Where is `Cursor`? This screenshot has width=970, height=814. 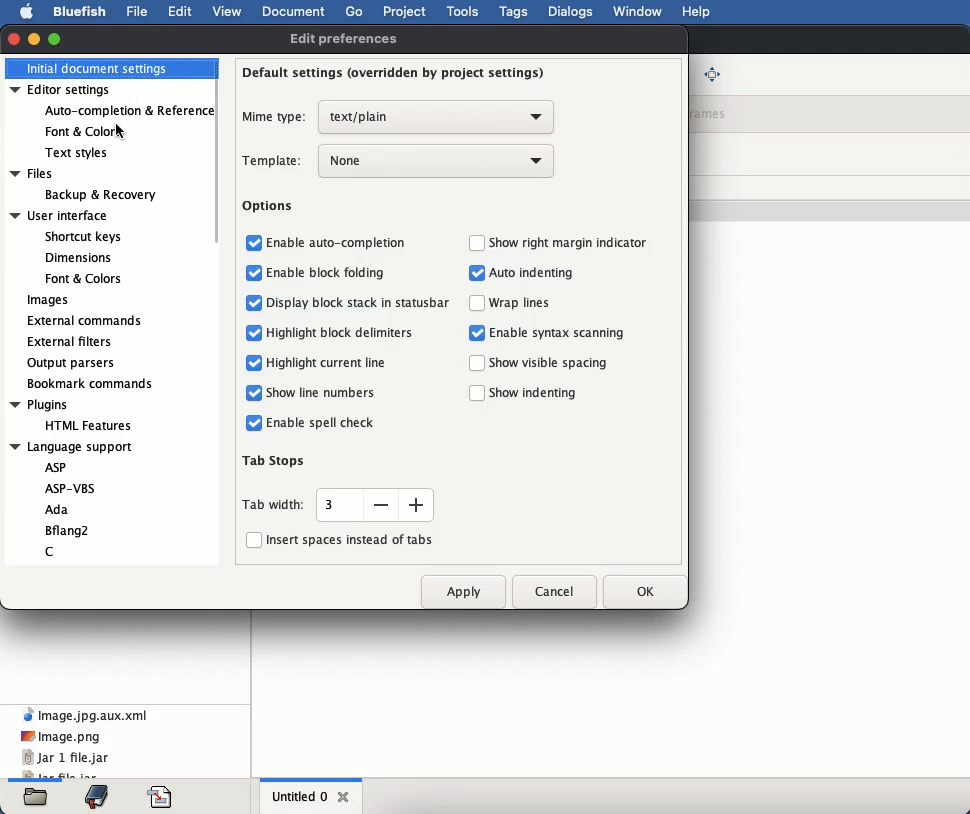 Cursor is located at coordinates (119, 127).